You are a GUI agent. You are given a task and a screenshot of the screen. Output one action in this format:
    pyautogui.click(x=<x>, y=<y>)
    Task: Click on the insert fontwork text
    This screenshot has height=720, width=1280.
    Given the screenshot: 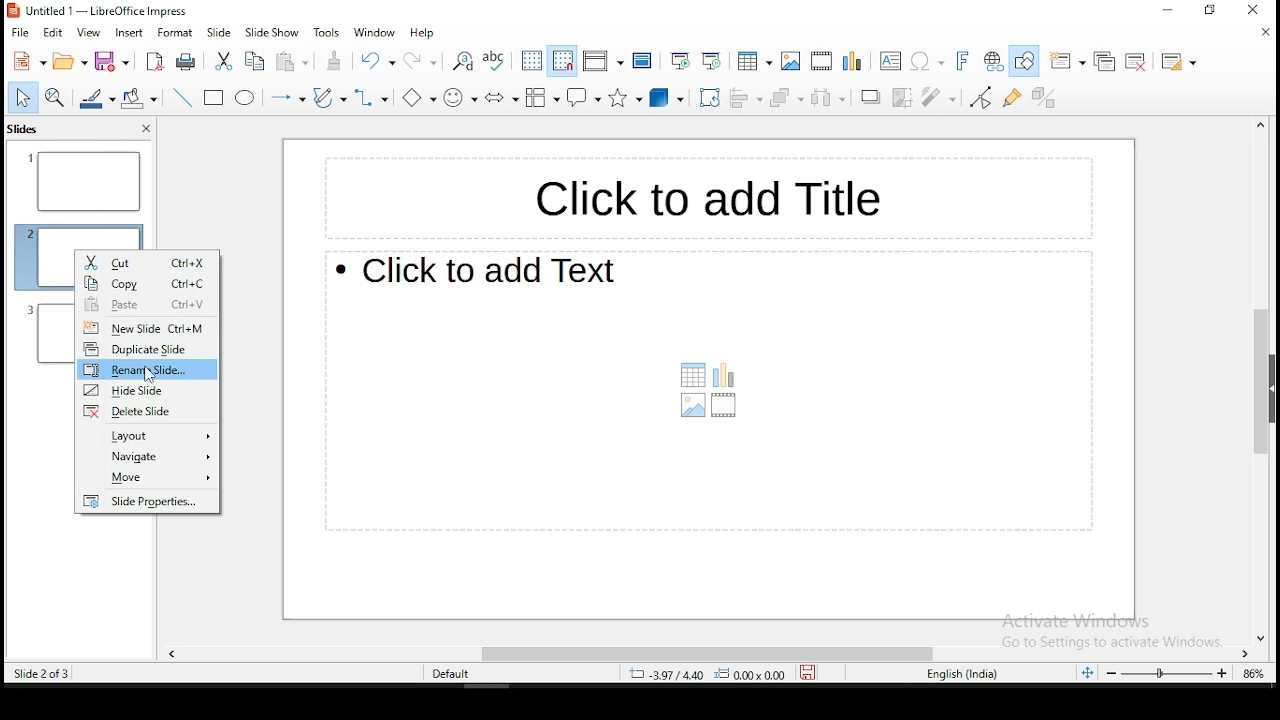 What is the action you would take?
    pyautogui.click(x=964, y=60)
    